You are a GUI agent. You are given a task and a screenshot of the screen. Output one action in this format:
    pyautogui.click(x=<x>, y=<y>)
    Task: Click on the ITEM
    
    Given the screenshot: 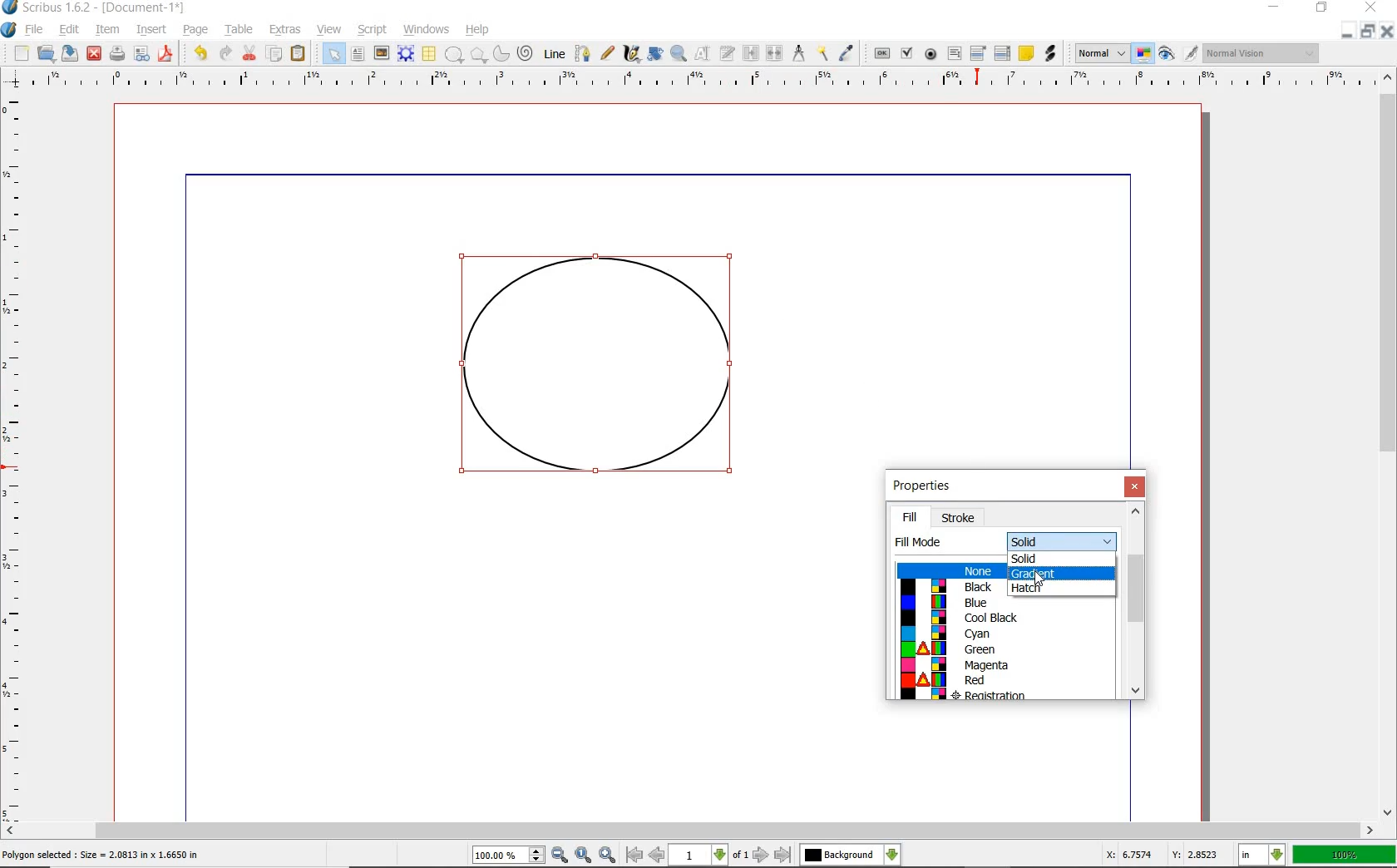 What is the action you would take?
    pyautogui.click(x=108, y=28)
    